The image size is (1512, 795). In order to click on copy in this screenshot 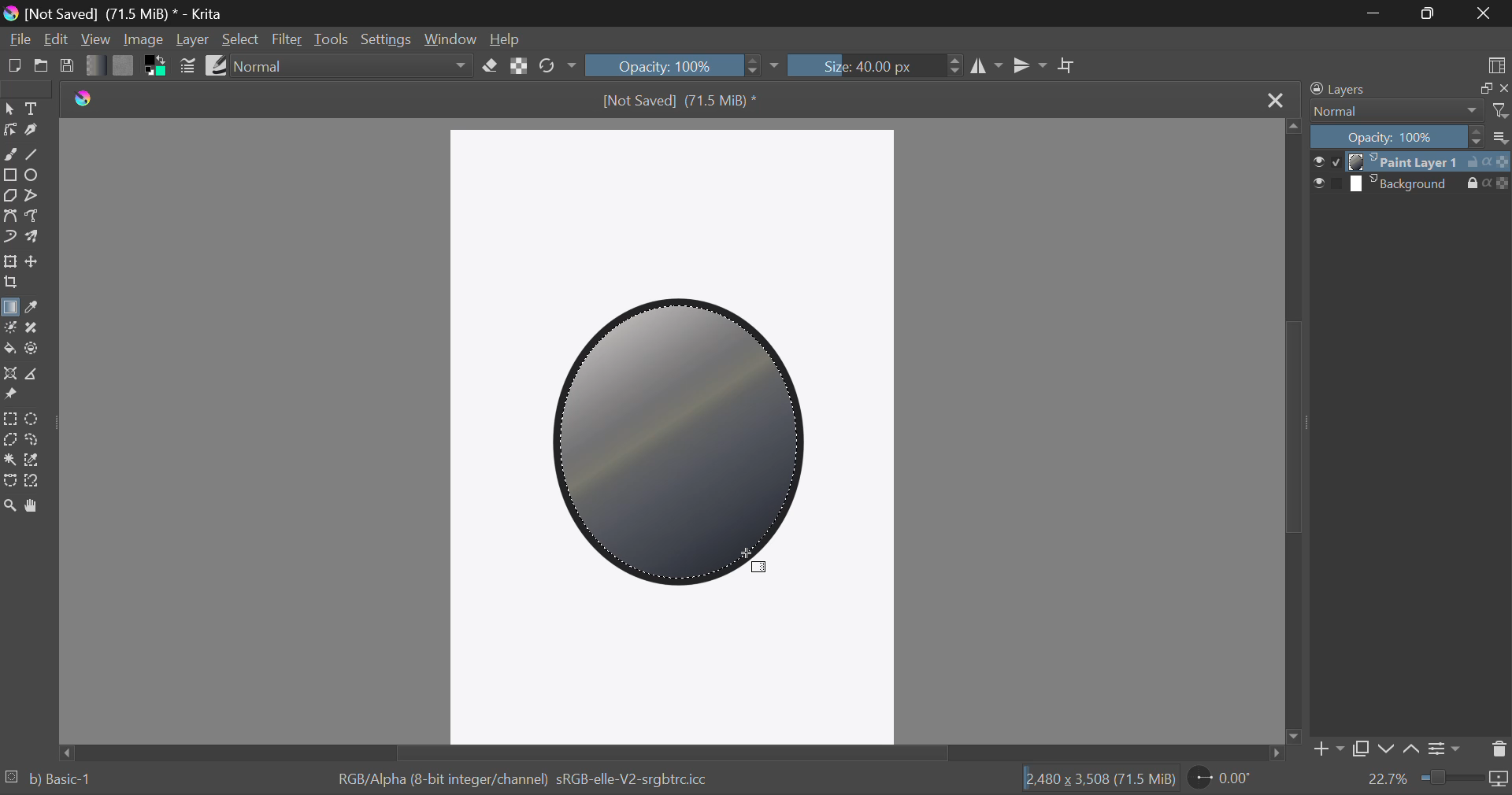, I will do `click(1485, 87)`.